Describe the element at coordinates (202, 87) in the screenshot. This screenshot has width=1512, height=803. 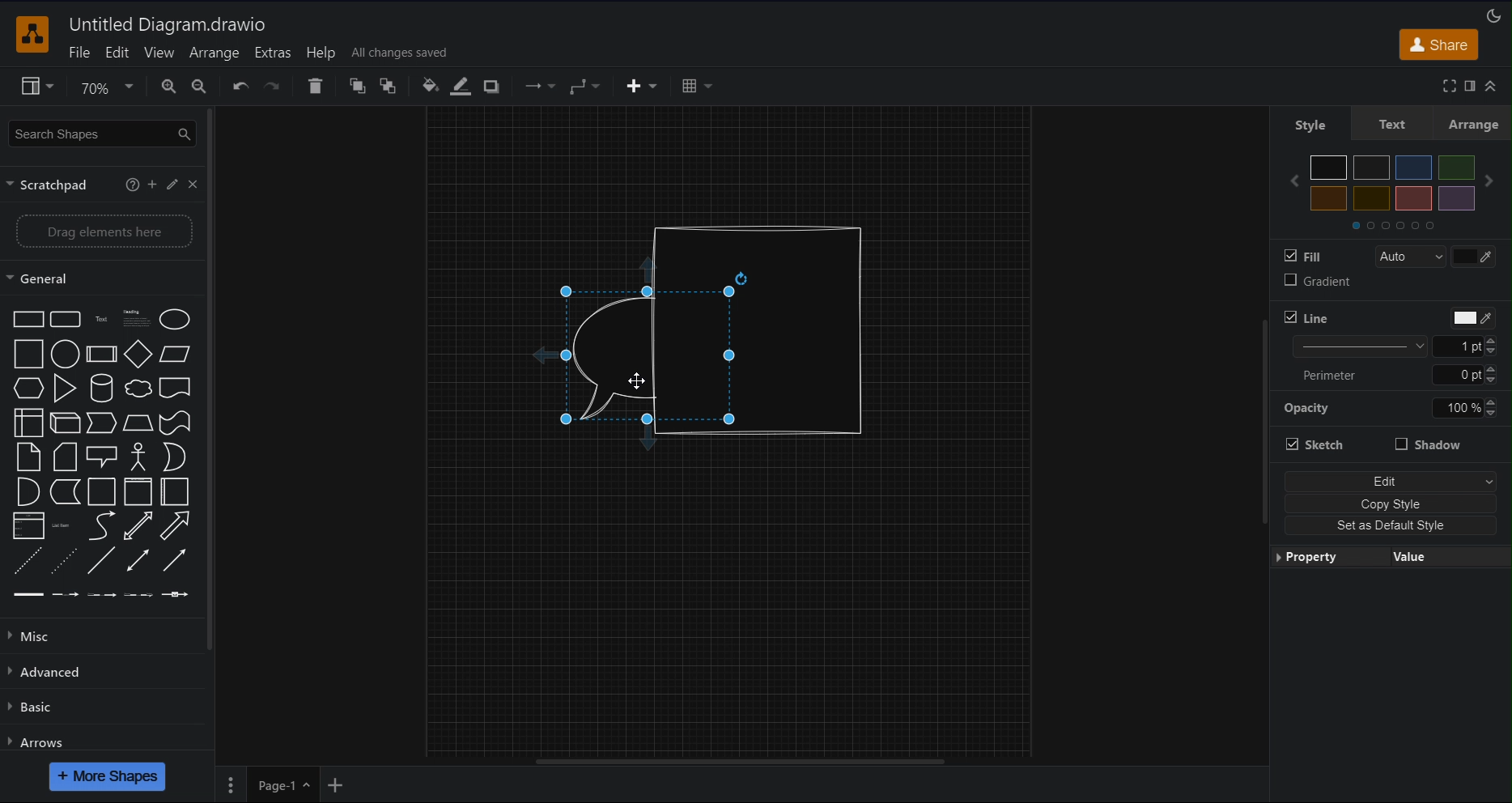
I see `Zoom Out` at that location.